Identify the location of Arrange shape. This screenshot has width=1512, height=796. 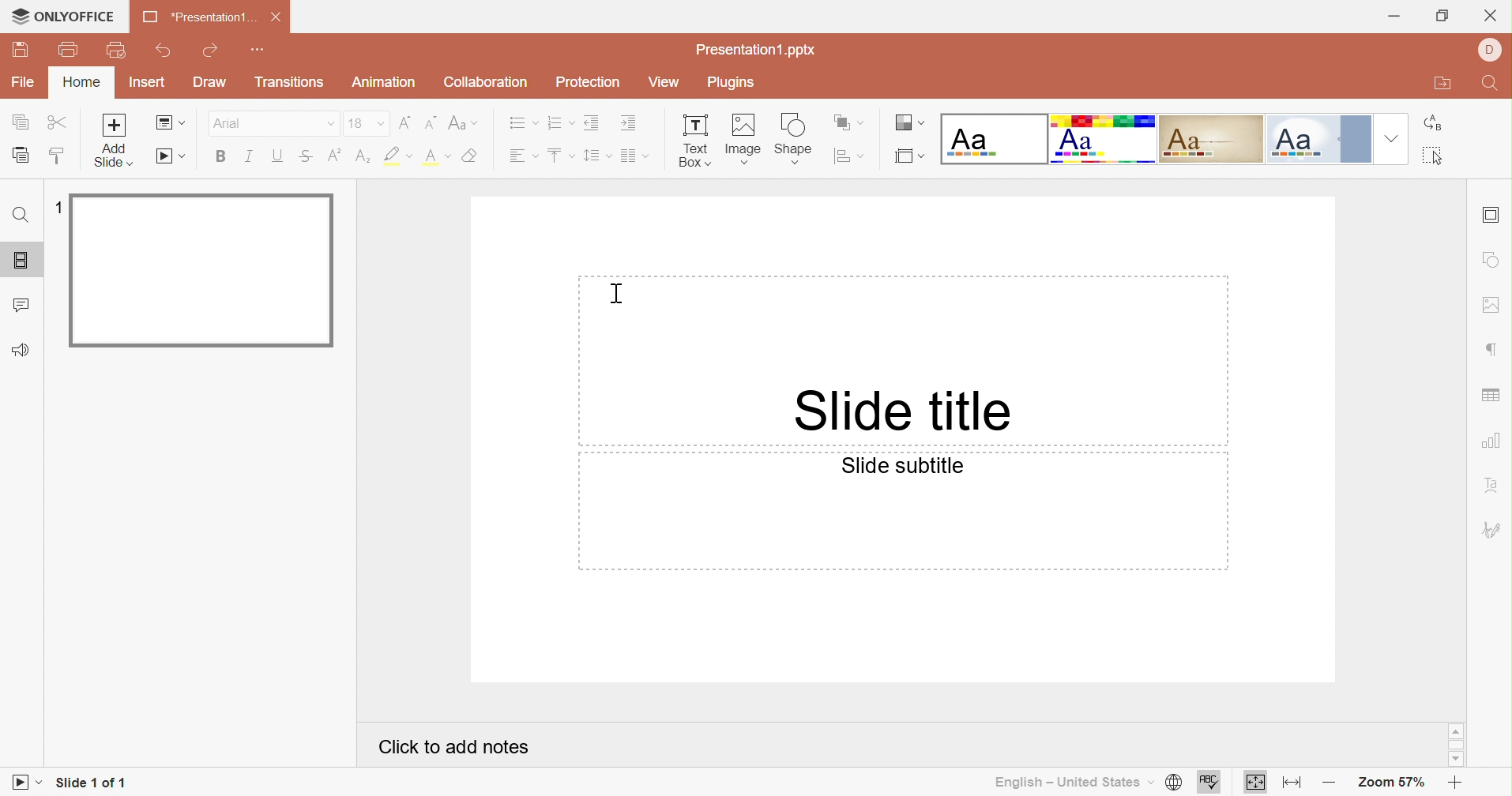
(849, 122).